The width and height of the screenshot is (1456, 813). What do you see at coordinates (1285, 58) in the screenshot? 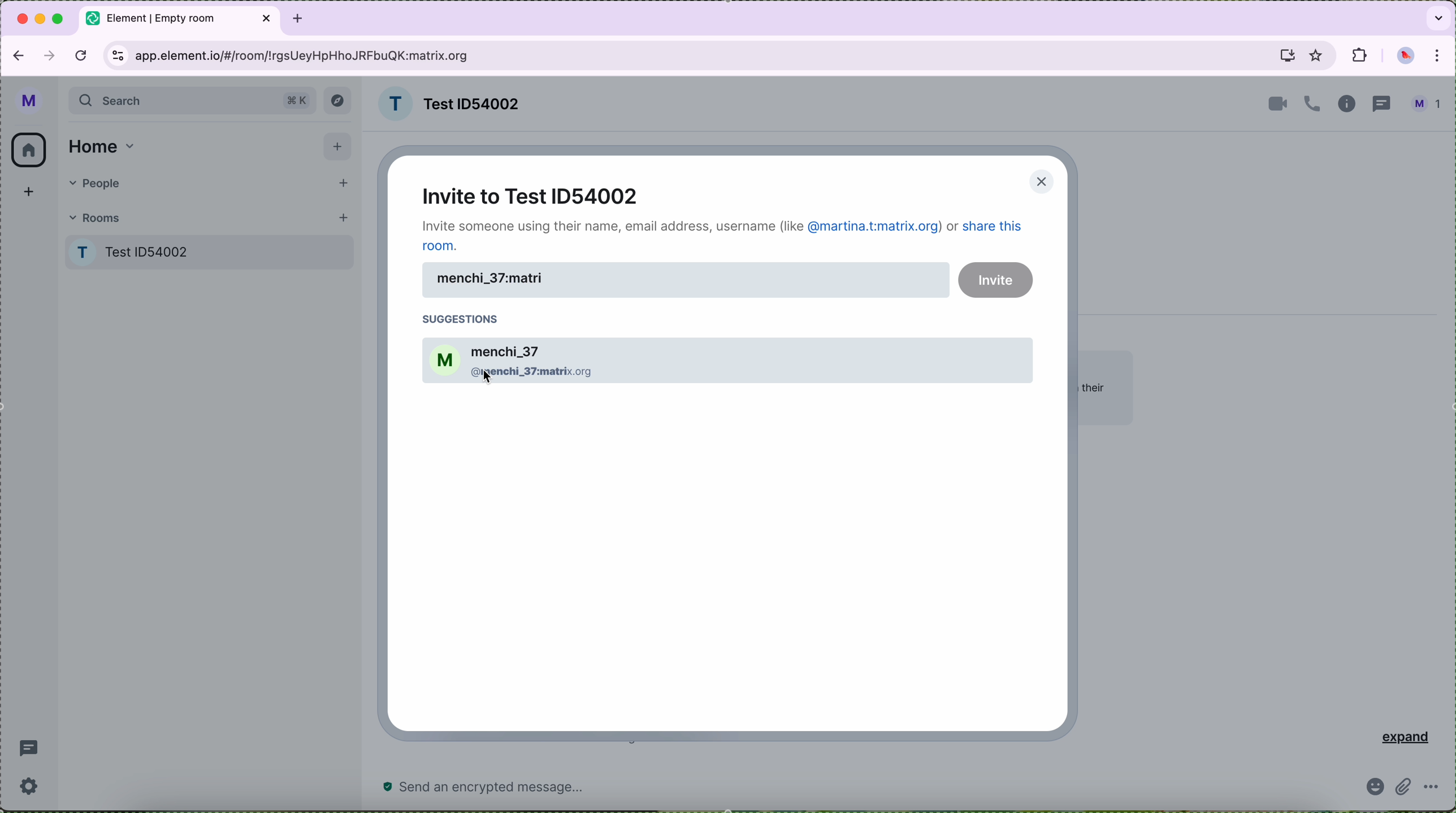
I see `screen` at bounding box center [1285, 58].